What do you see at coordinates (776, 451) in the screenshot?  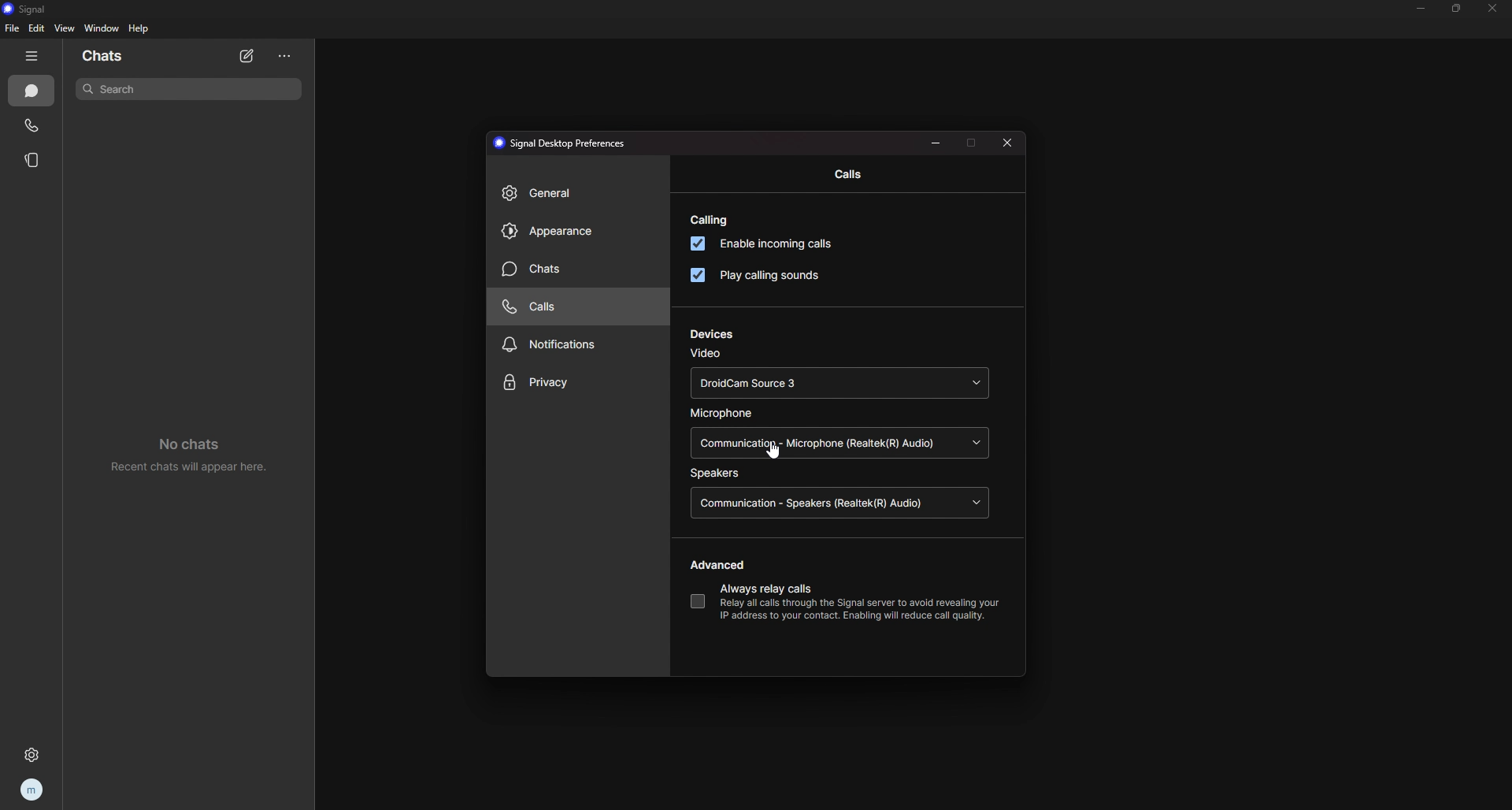 I see `cursor` at bounding box center [776, 451].